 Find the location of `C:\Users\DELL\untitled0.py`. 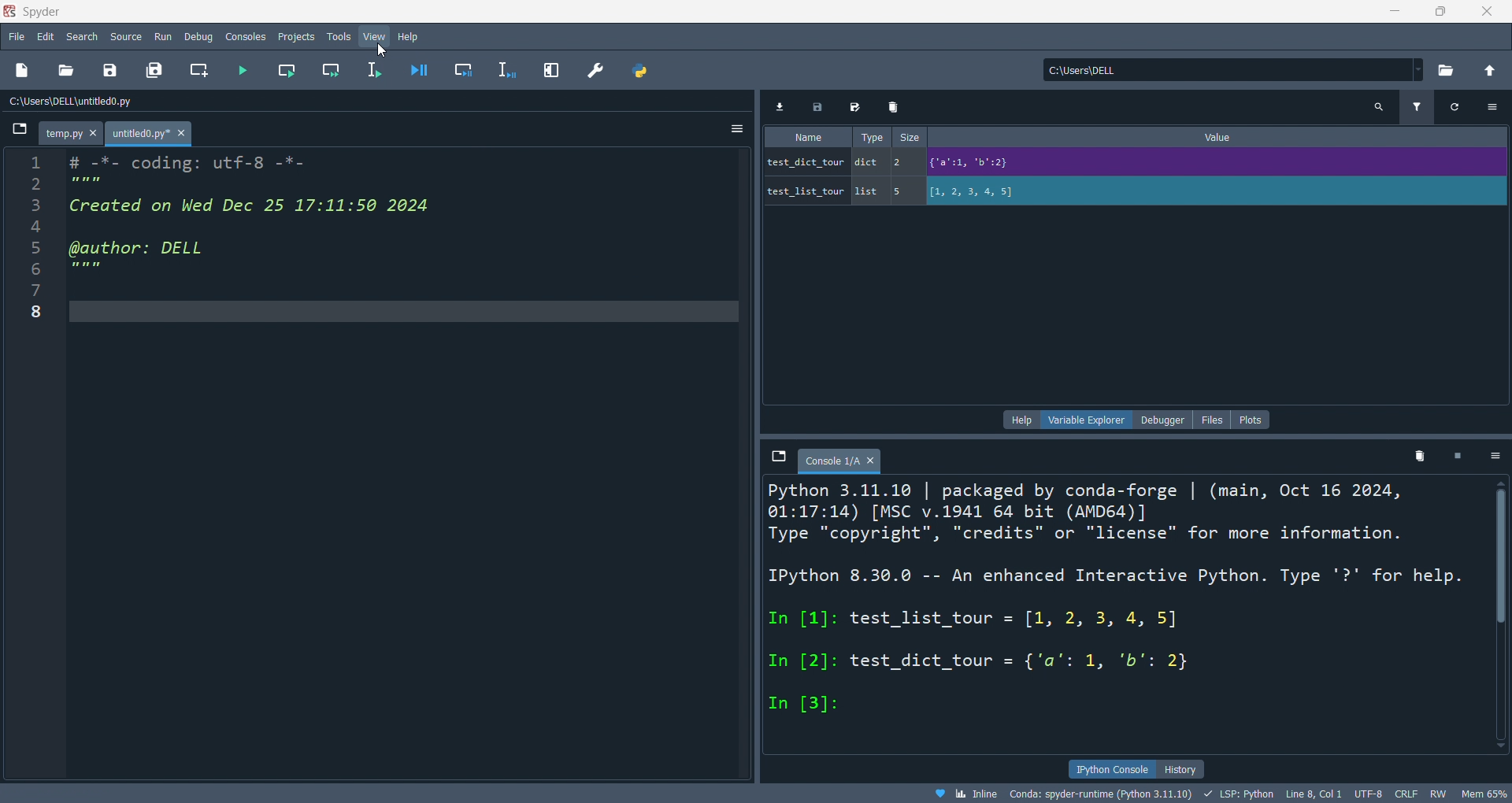

C:\Users\DELL\untitled0.py is located at coordinates (158, 98).